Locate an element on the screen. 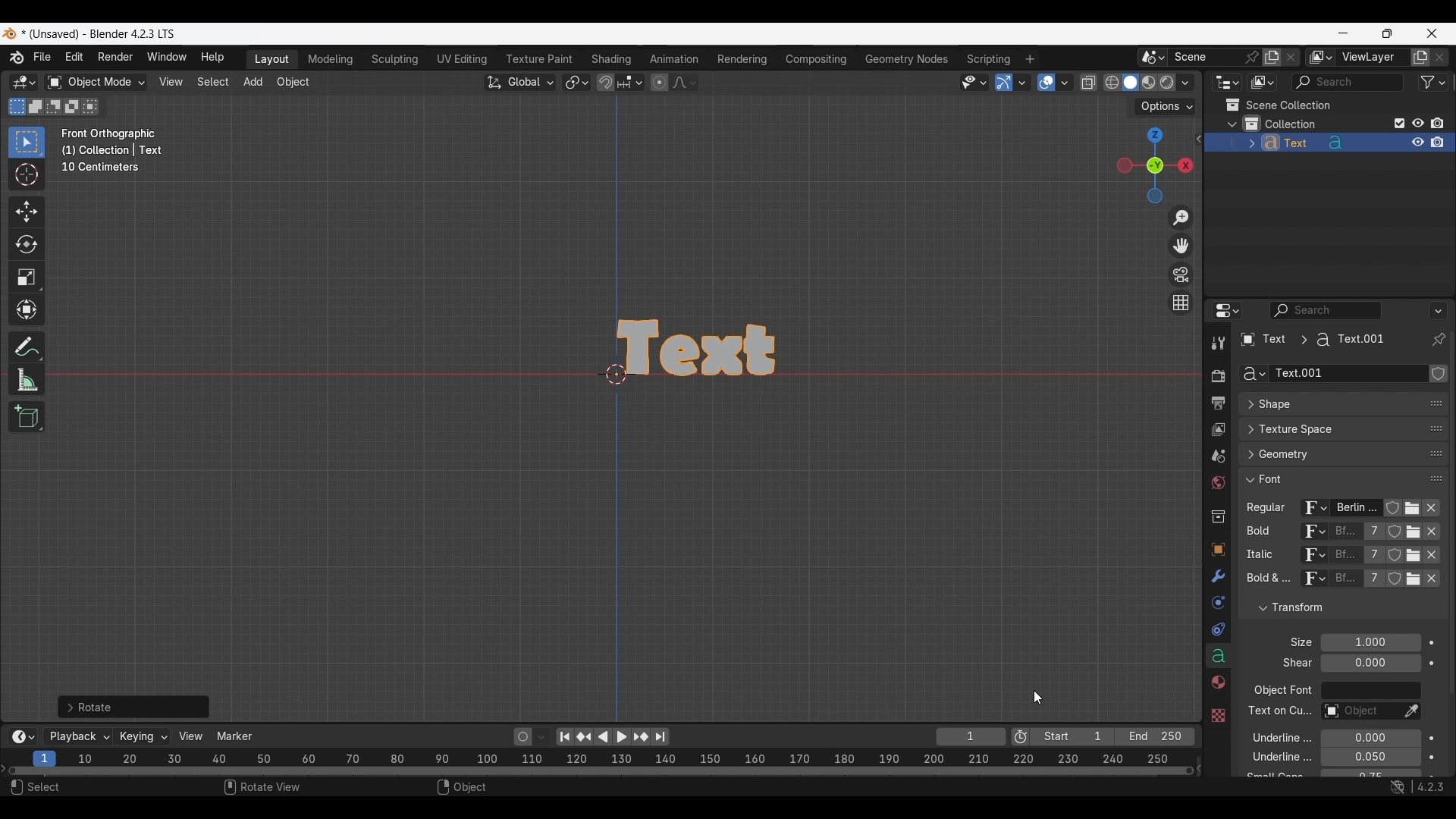  name of current font is located at coordinates (1345, 584).